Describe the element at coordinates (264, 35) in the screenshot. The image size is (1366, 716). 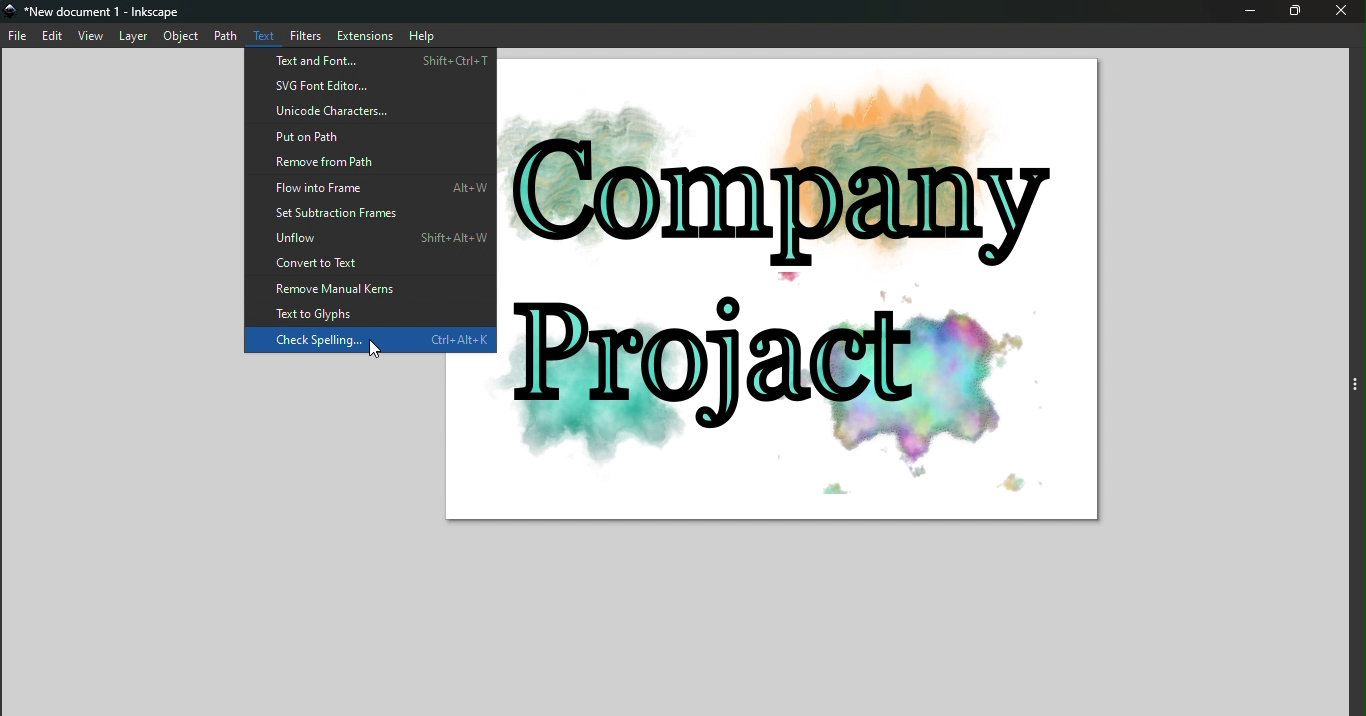
I see `text` at that location.